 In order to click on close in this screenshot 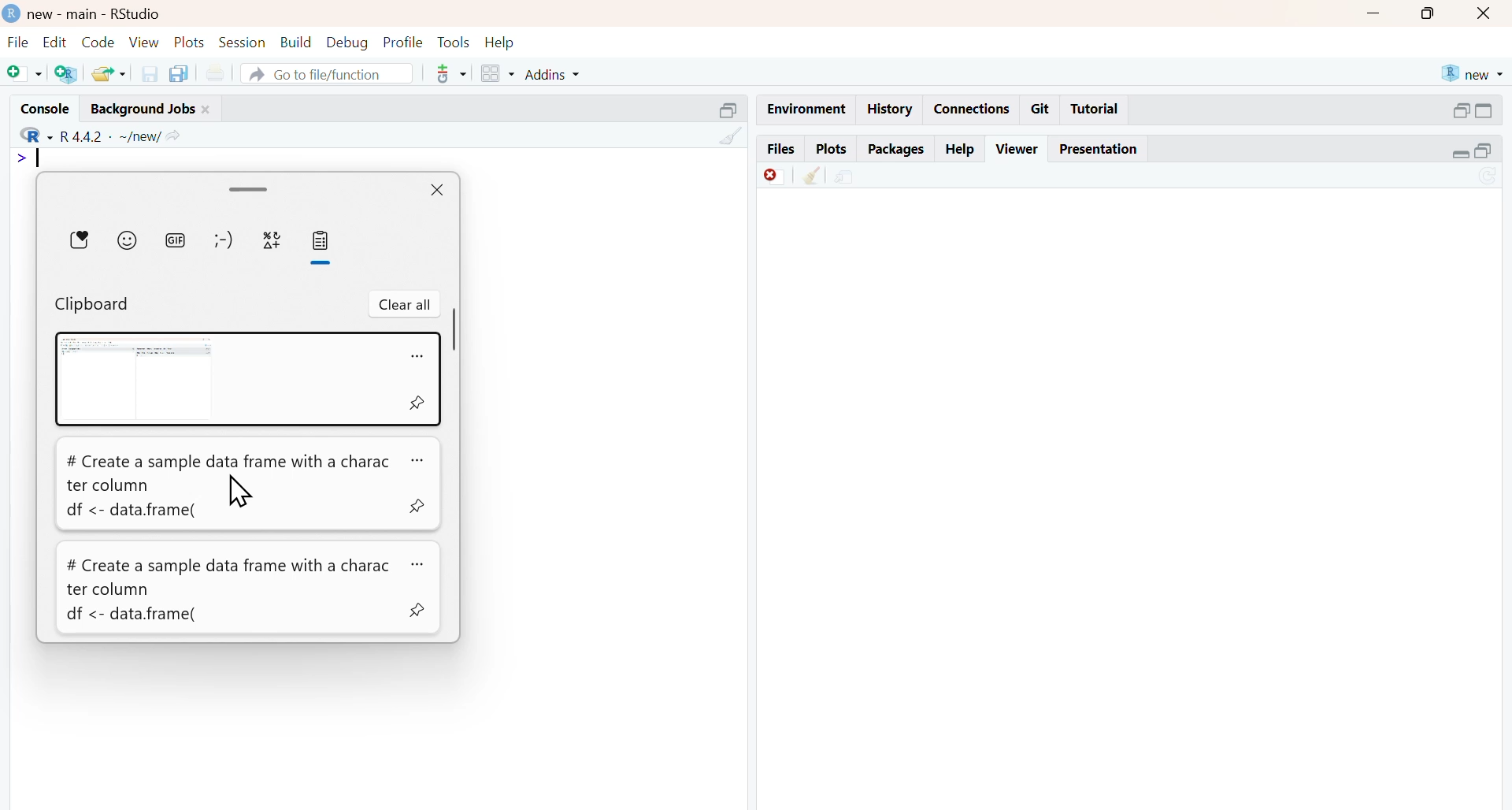, I will do `click(1484, 13)`.